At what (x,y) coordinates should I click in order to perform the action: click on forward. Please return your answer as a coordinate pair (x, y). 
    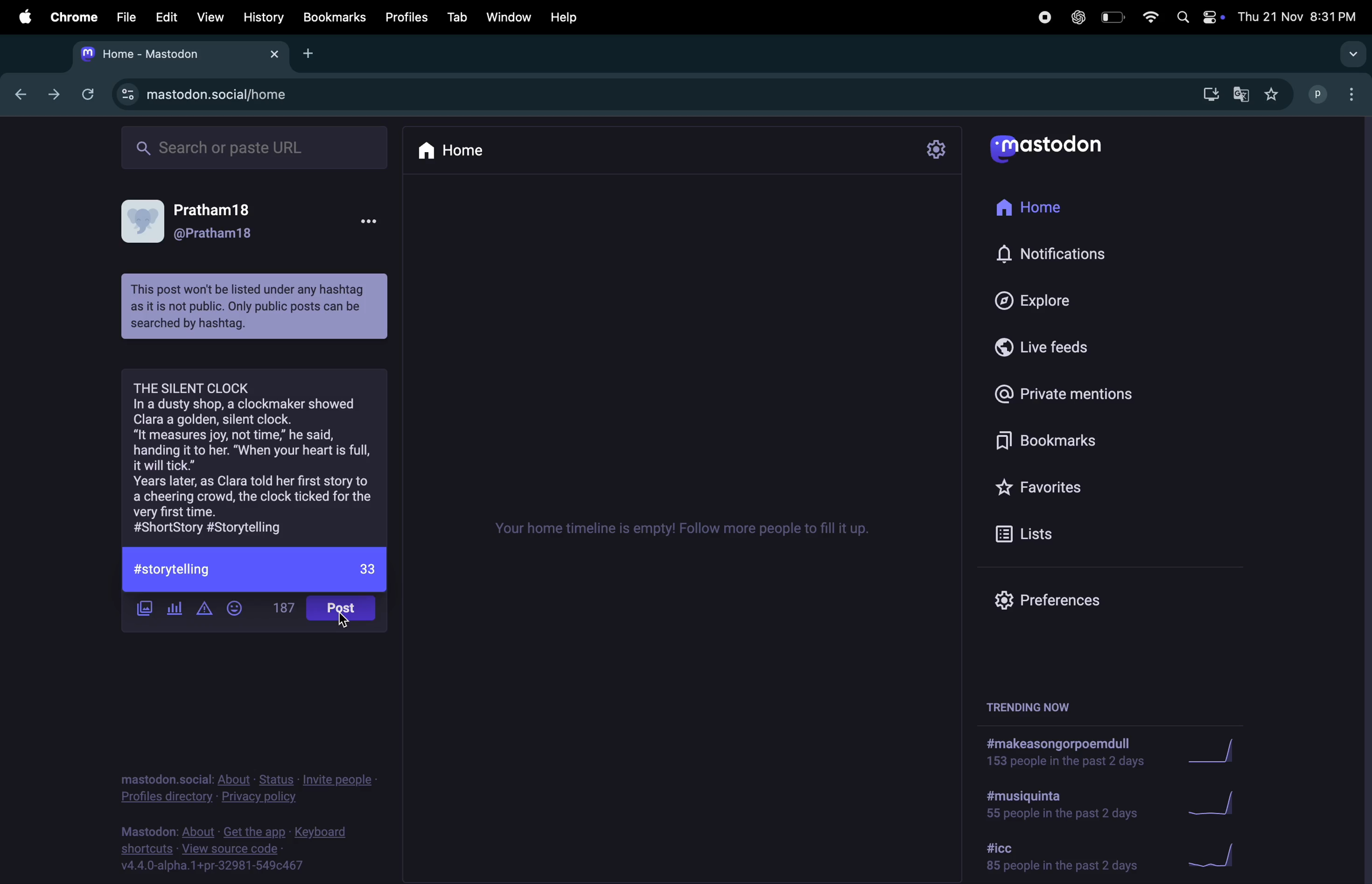
    Looking at the image, I should click on (48, 96).